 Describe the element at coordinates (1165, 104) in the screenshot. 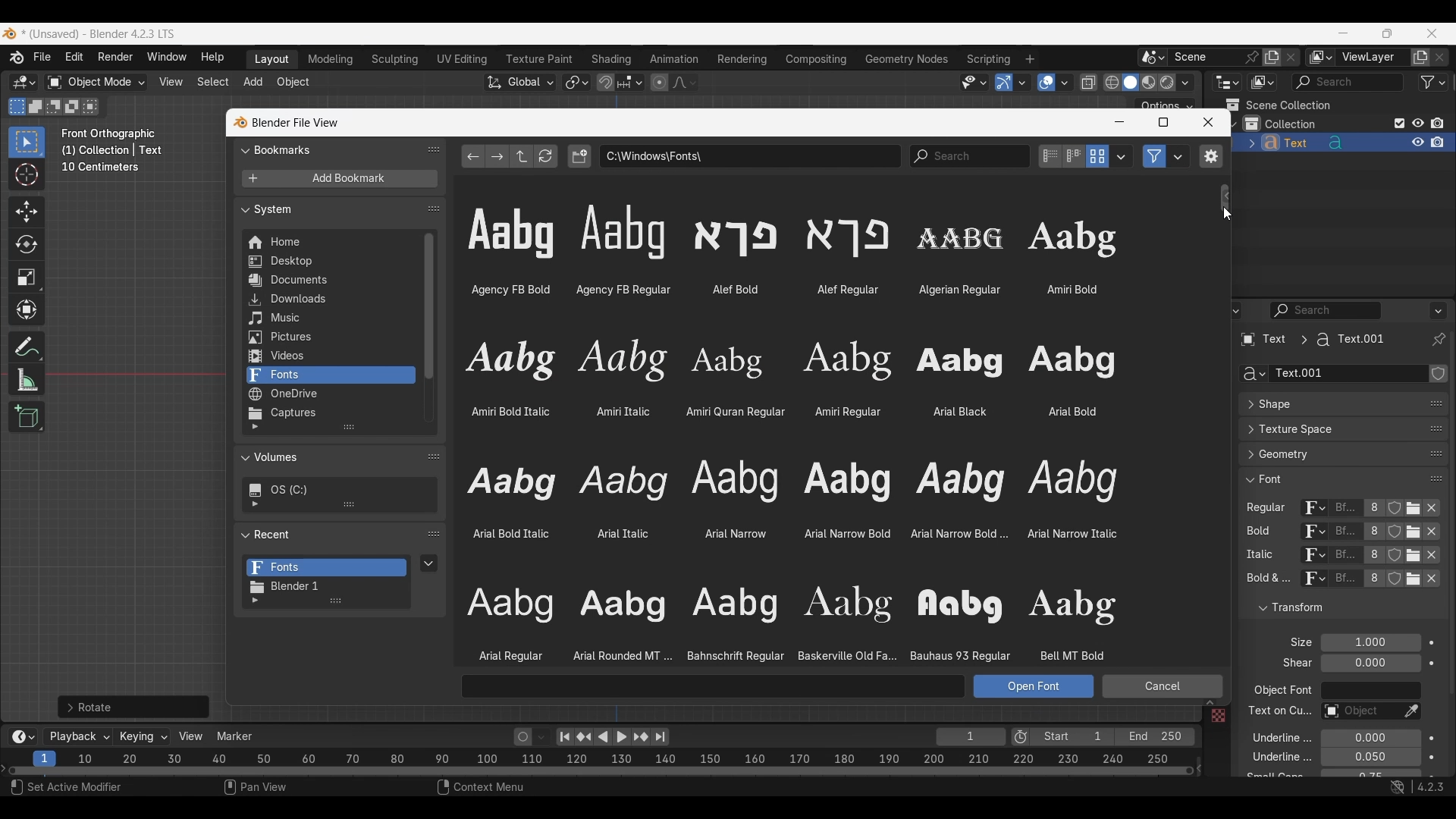

I see `Transform options` at that location.